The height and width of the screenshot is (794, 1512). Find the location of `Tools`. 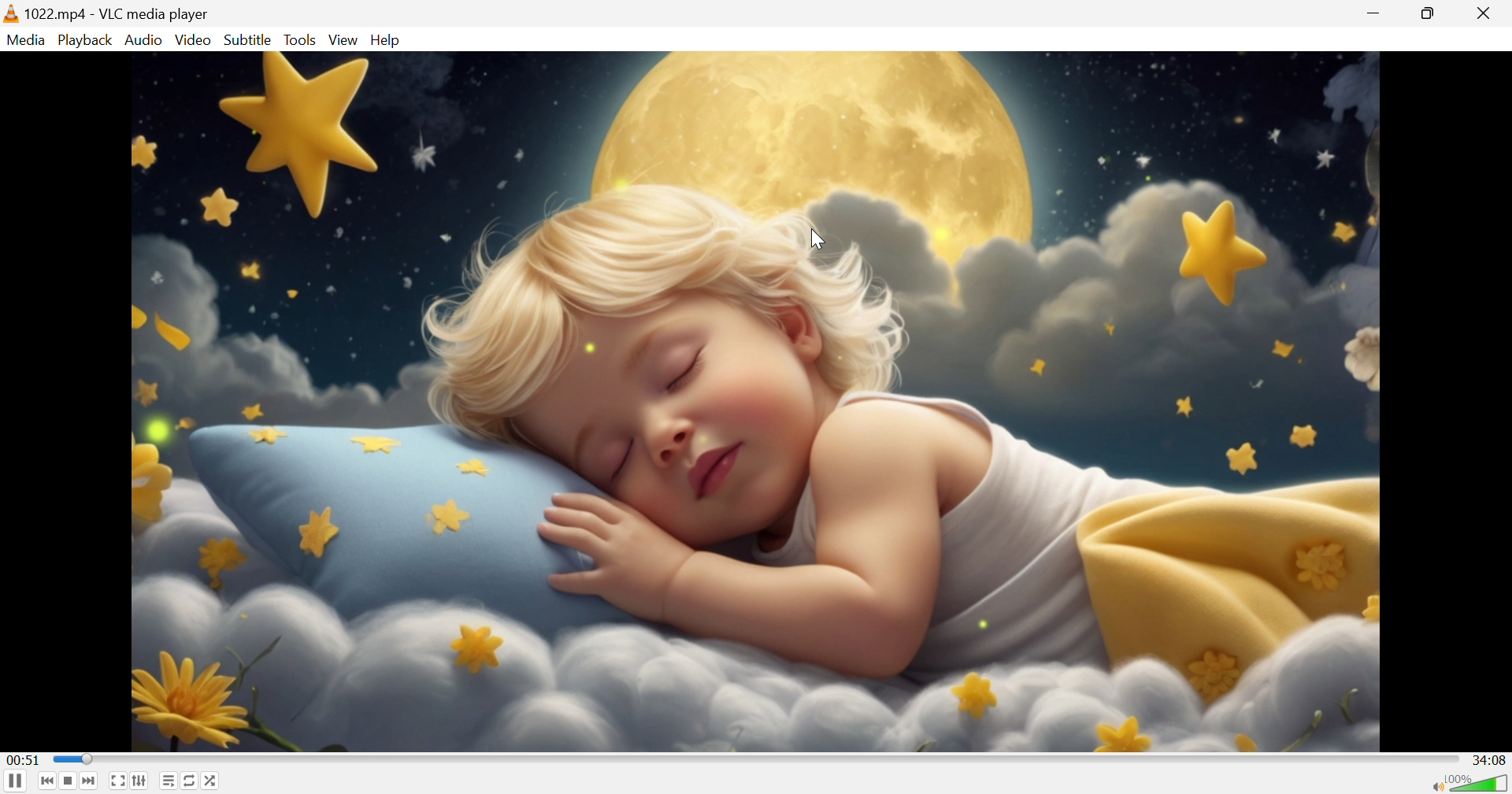

Tools is located at coordinates (302, 39).